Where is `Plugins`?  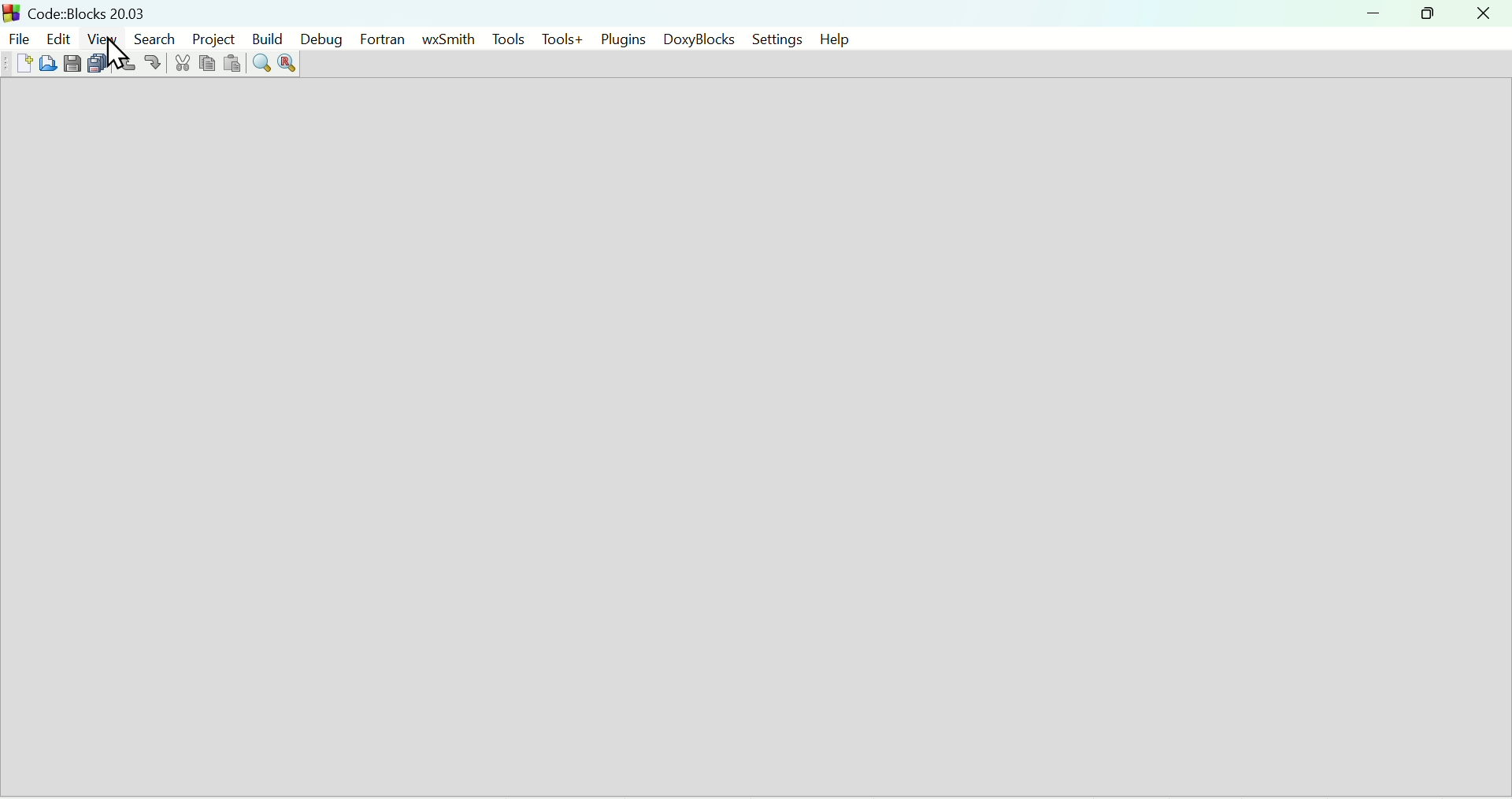
Plugins is located at coordinates (623, 37).